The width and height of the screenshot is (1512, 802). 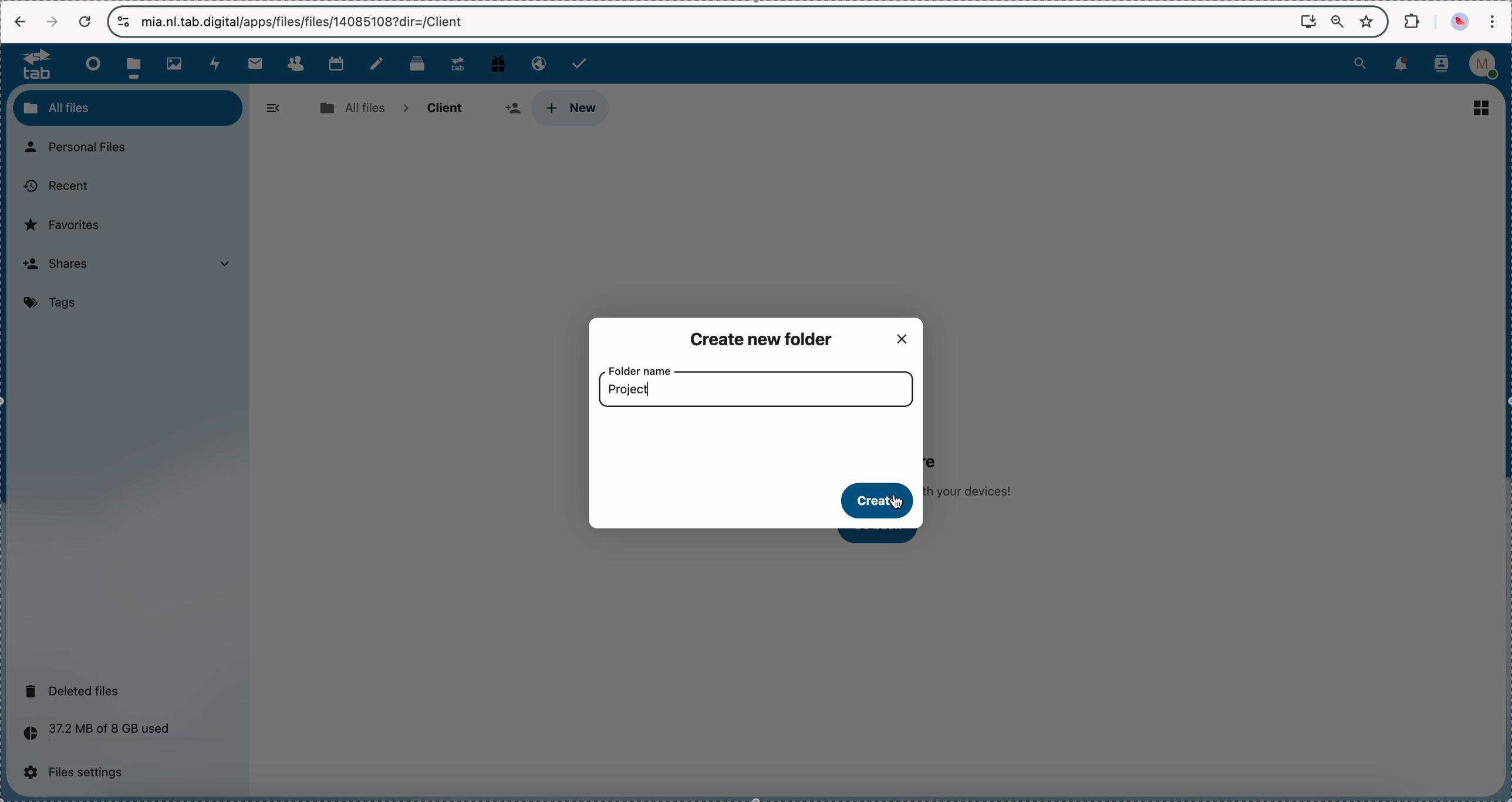 I want to click on profile picture, so click(x=1462, y=22).